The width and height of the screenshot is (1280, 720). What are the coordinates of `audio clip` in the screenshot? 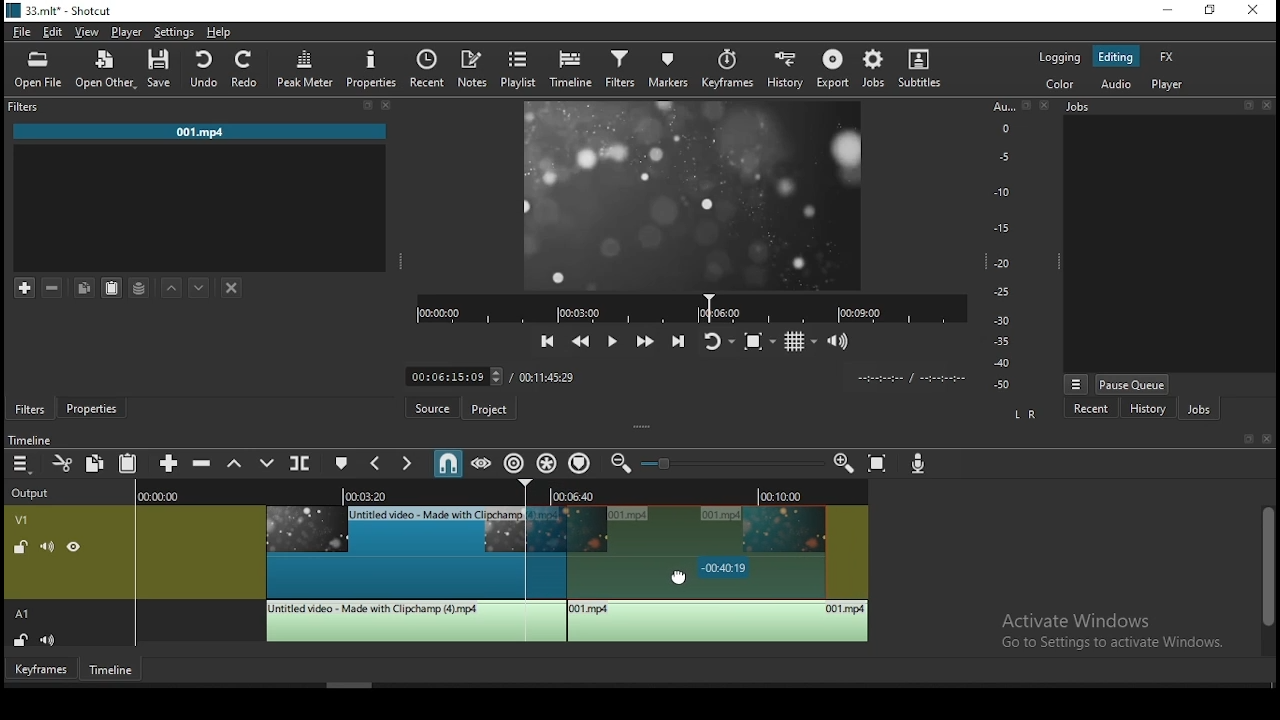 It's located at (719, 622).